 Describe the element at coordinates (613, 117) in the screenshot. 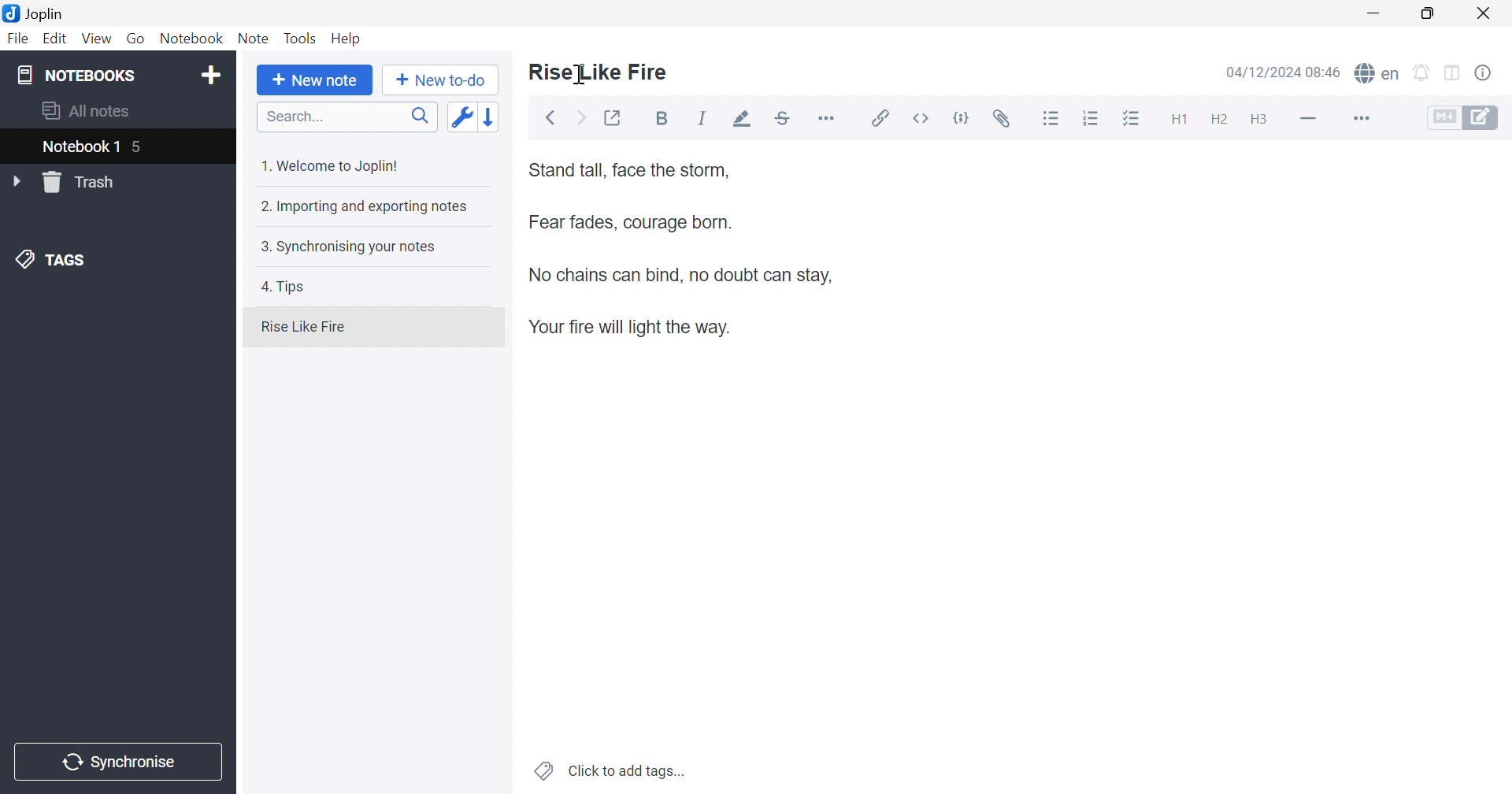

I see `Toggle external editing` at that location.